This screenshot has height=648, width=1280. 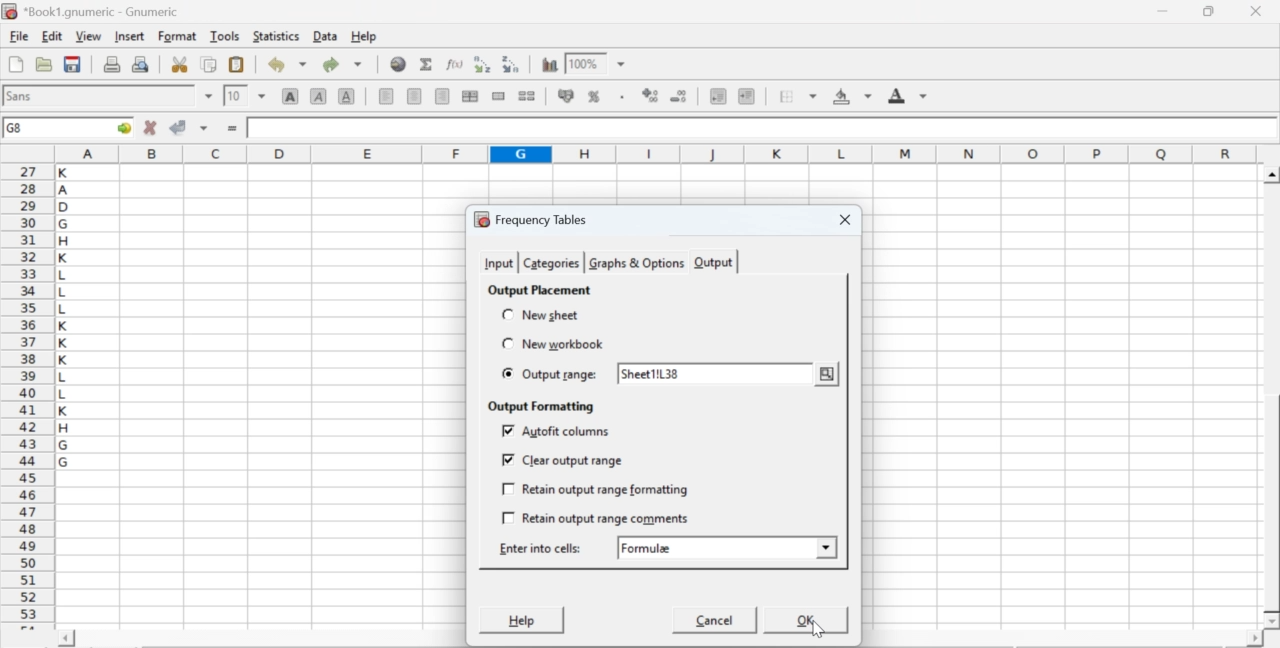 What do you see at coordinates (854, 96) in the screenshot?
I see `background` at bounding box center [854, 96].